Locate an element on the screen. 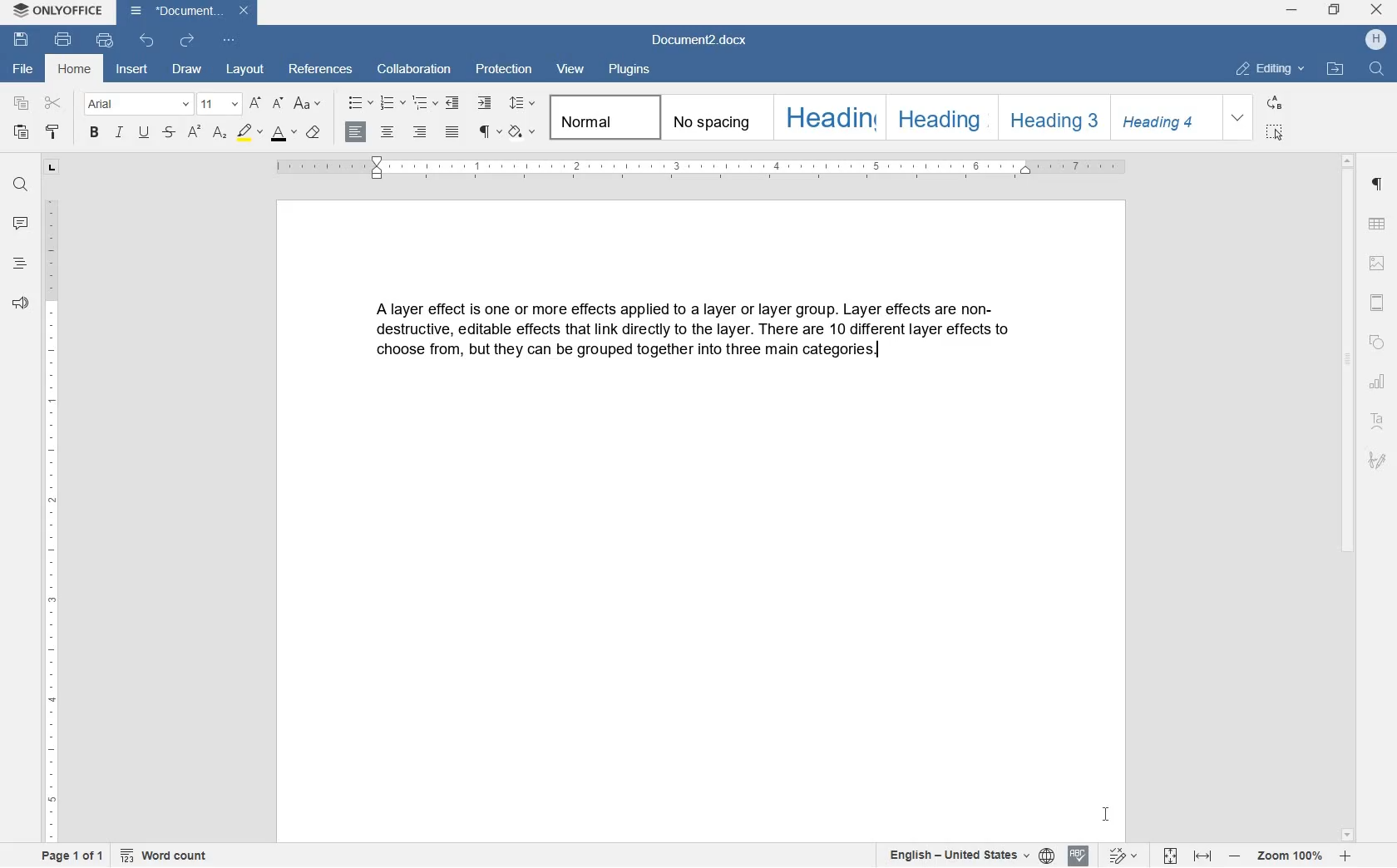 Image resolution: width=1397 pixels, height=868 pixels. CLOSE is located at coordinates (1375, 10).